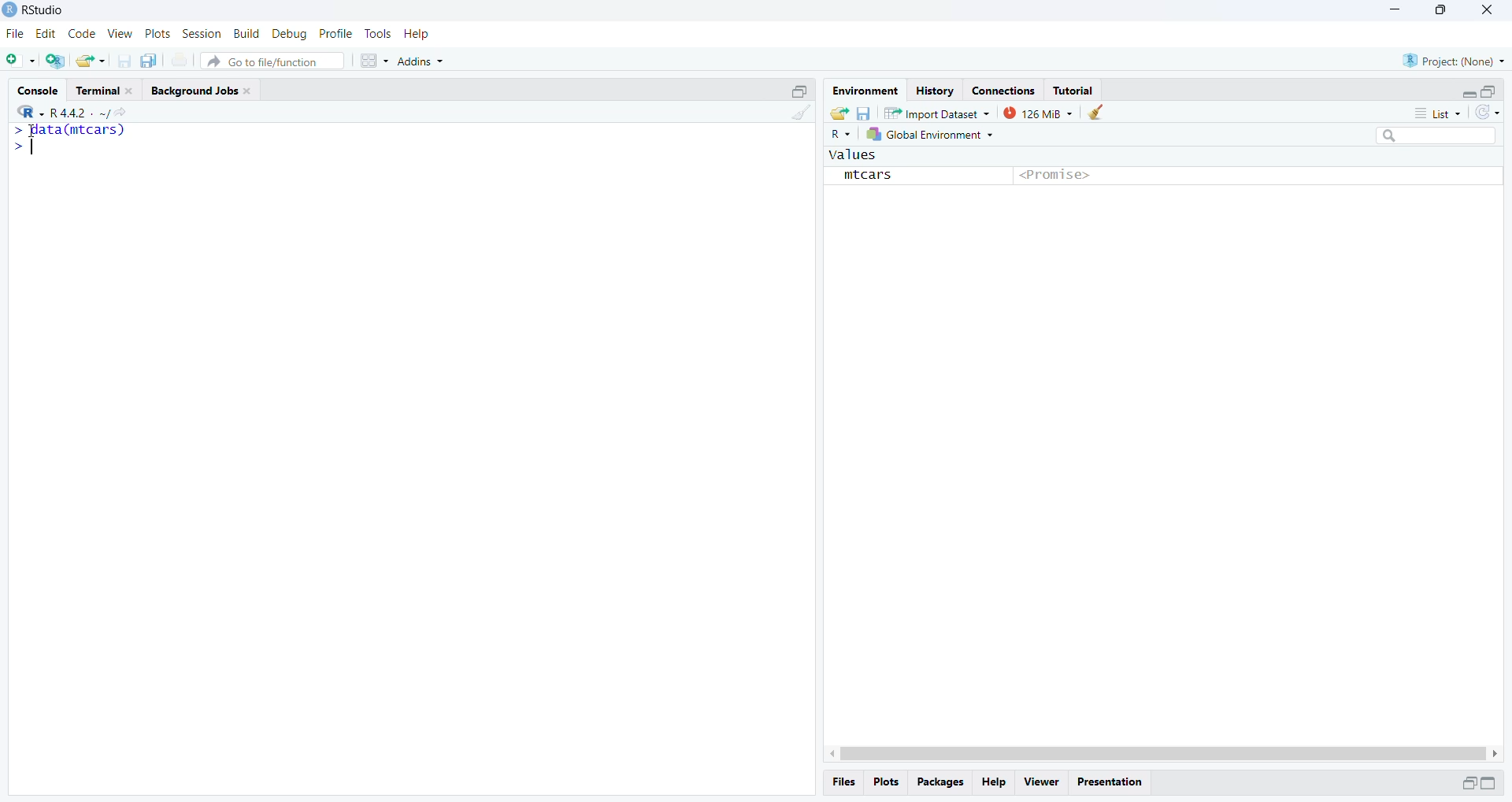  I want to click on Plots, so click(157, 34).